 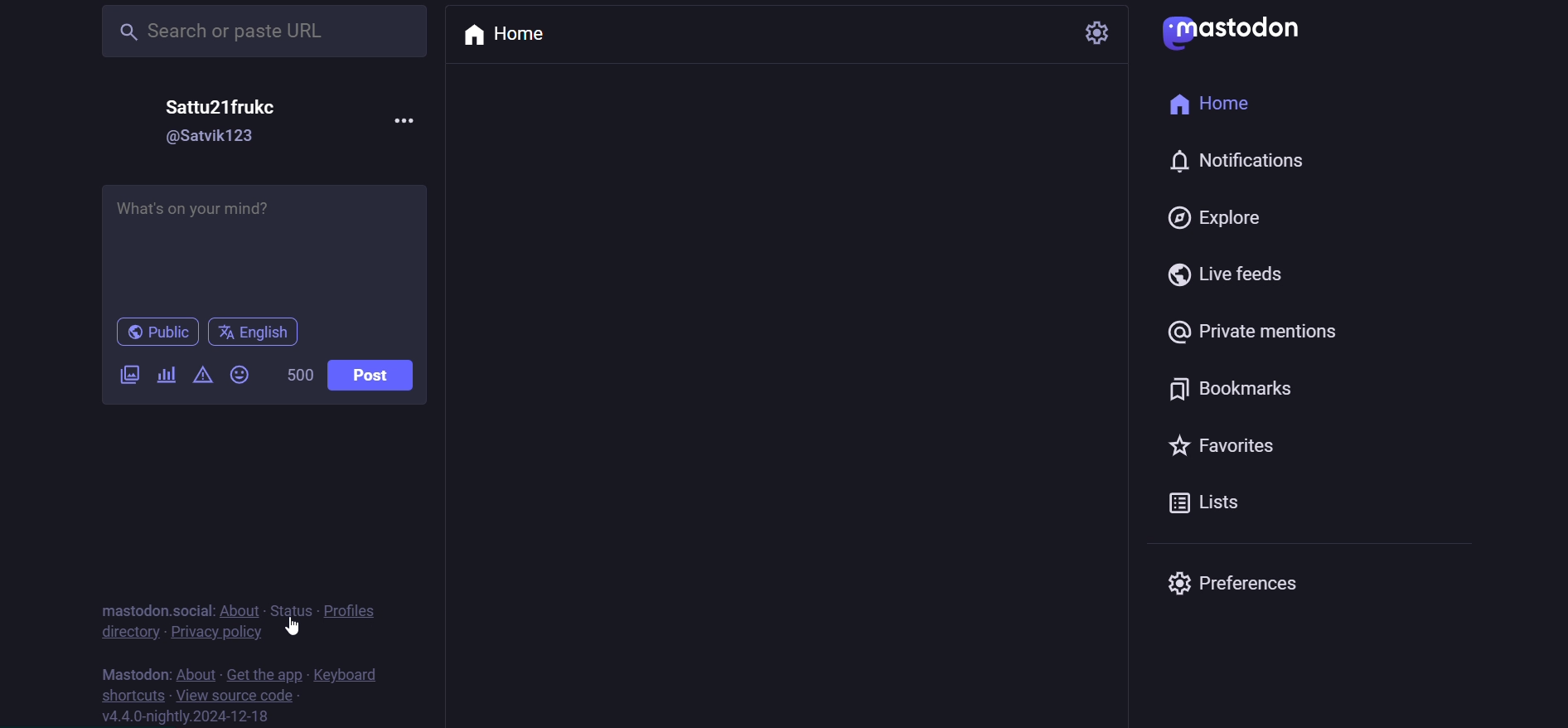 I want to click on status, so click(x=286, y=609).